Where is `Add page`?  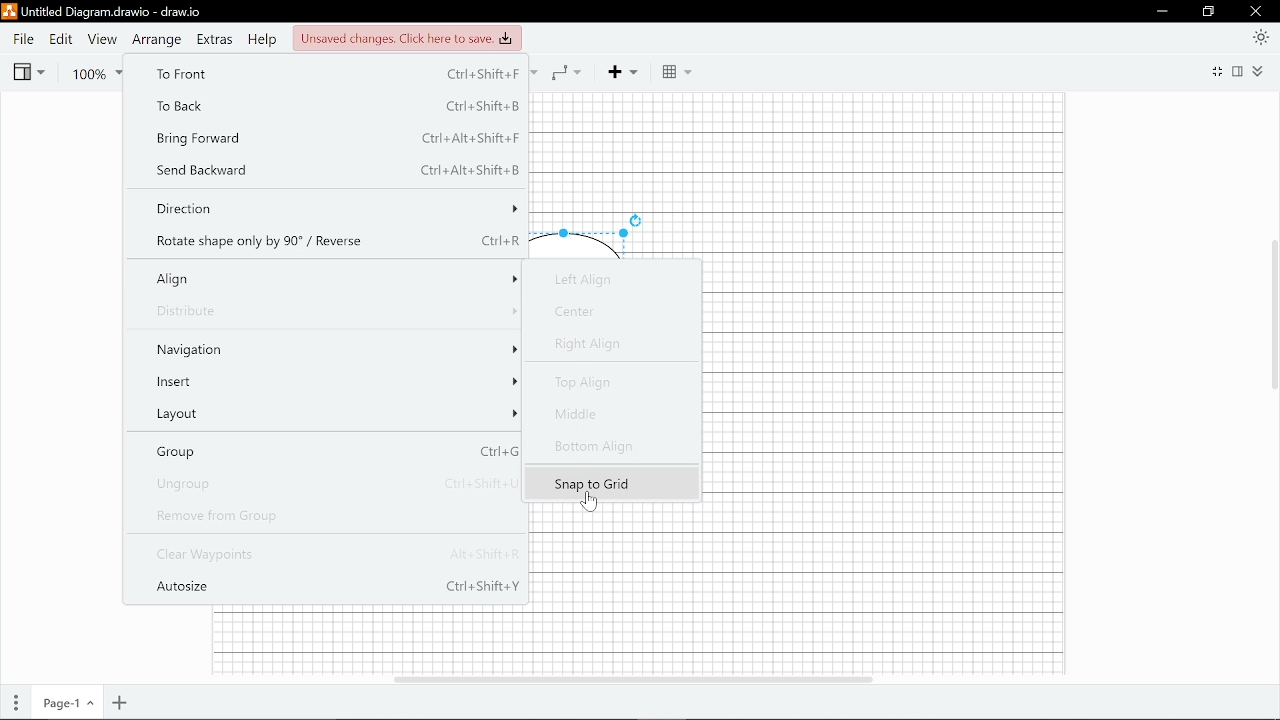
Add page is located at coordinates (117, 704).